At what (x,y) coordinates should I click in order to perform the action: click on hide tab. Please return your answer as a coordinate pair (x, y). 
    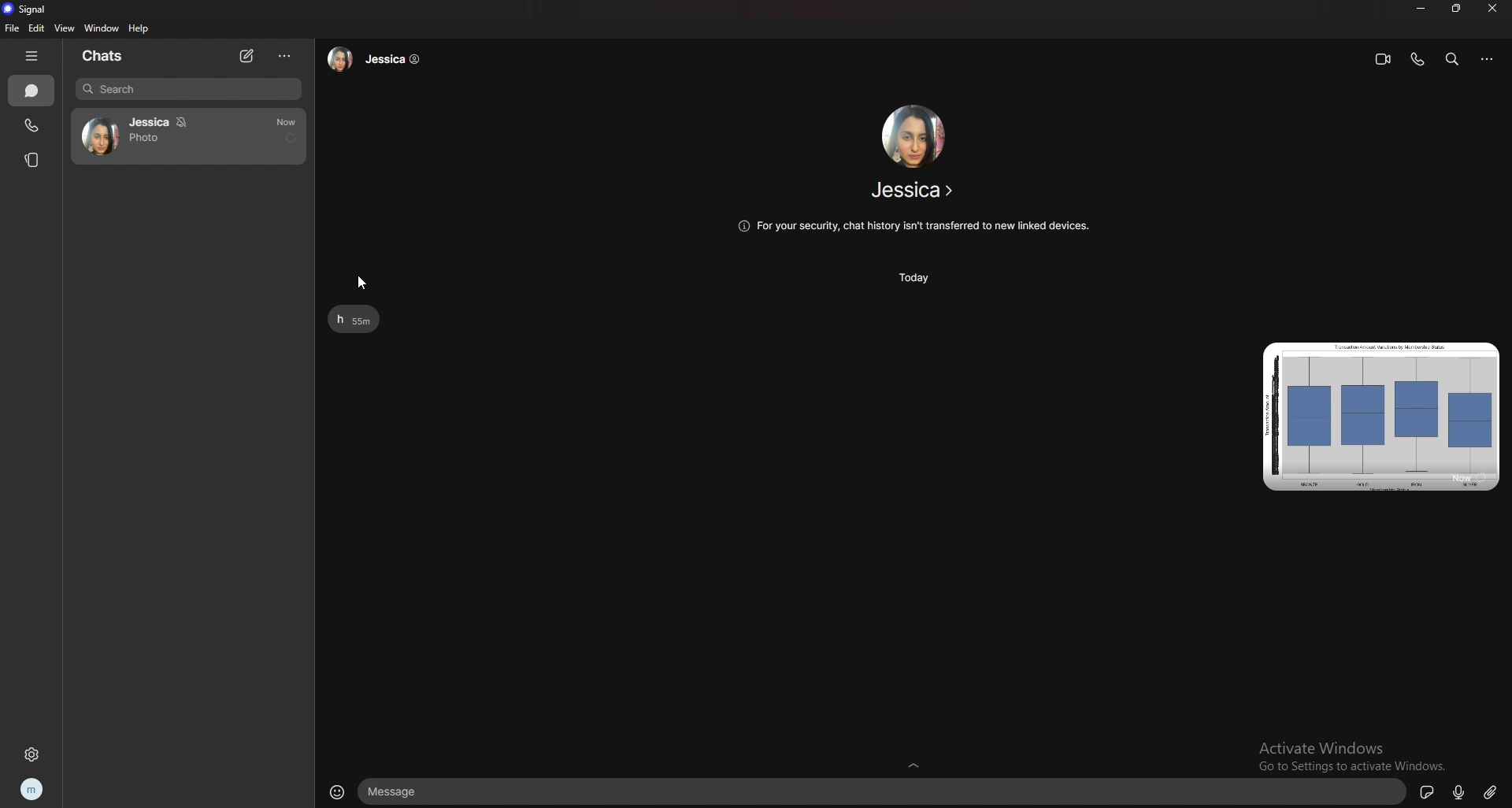
    Looking at the image, I should click on (31, 57).